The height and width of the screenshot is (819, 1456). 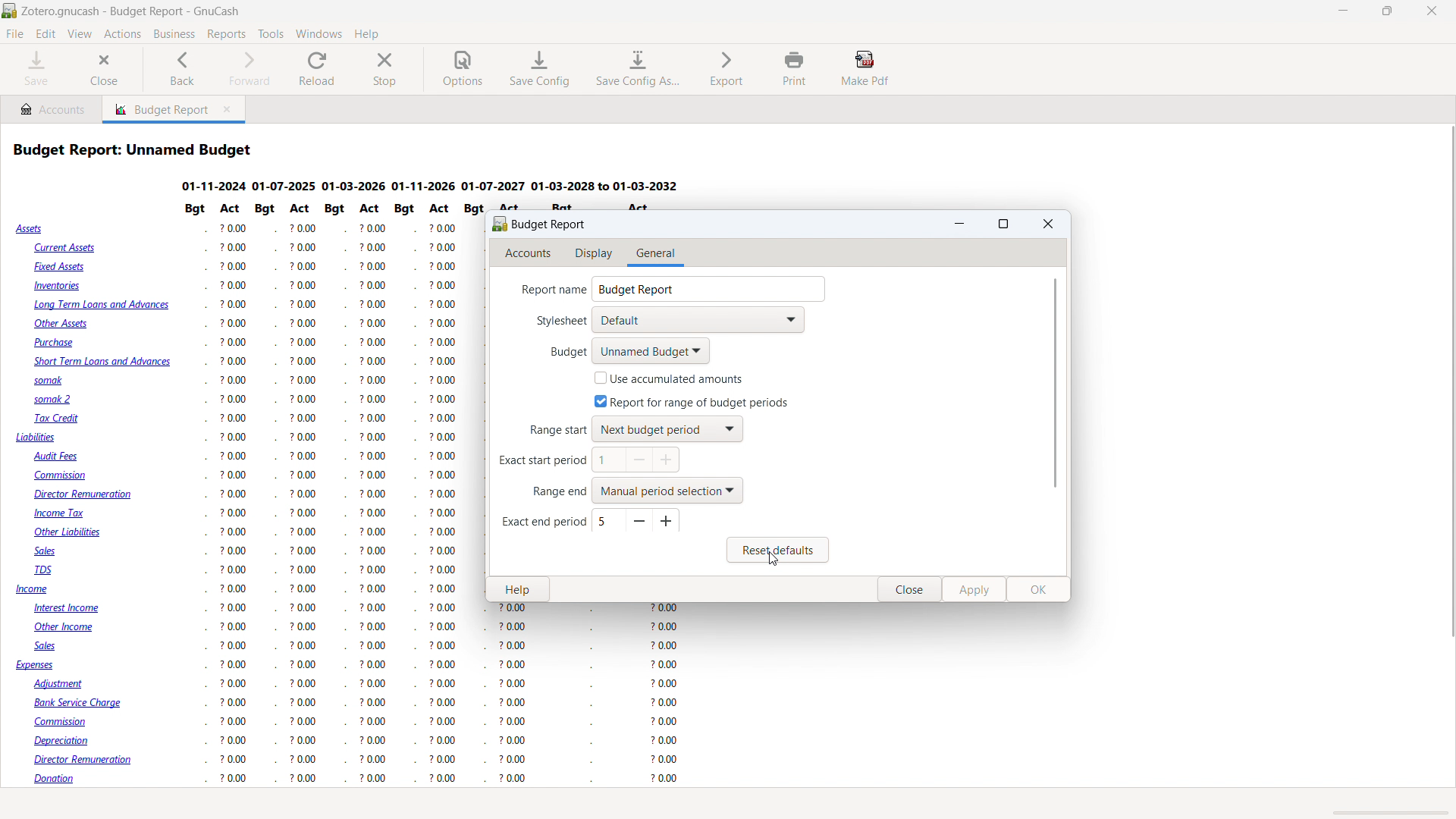 What do you see at coordinates (81, 701) in the screenshot?
I see `‘Bank Service Charge` at bounding box center [81, 701].